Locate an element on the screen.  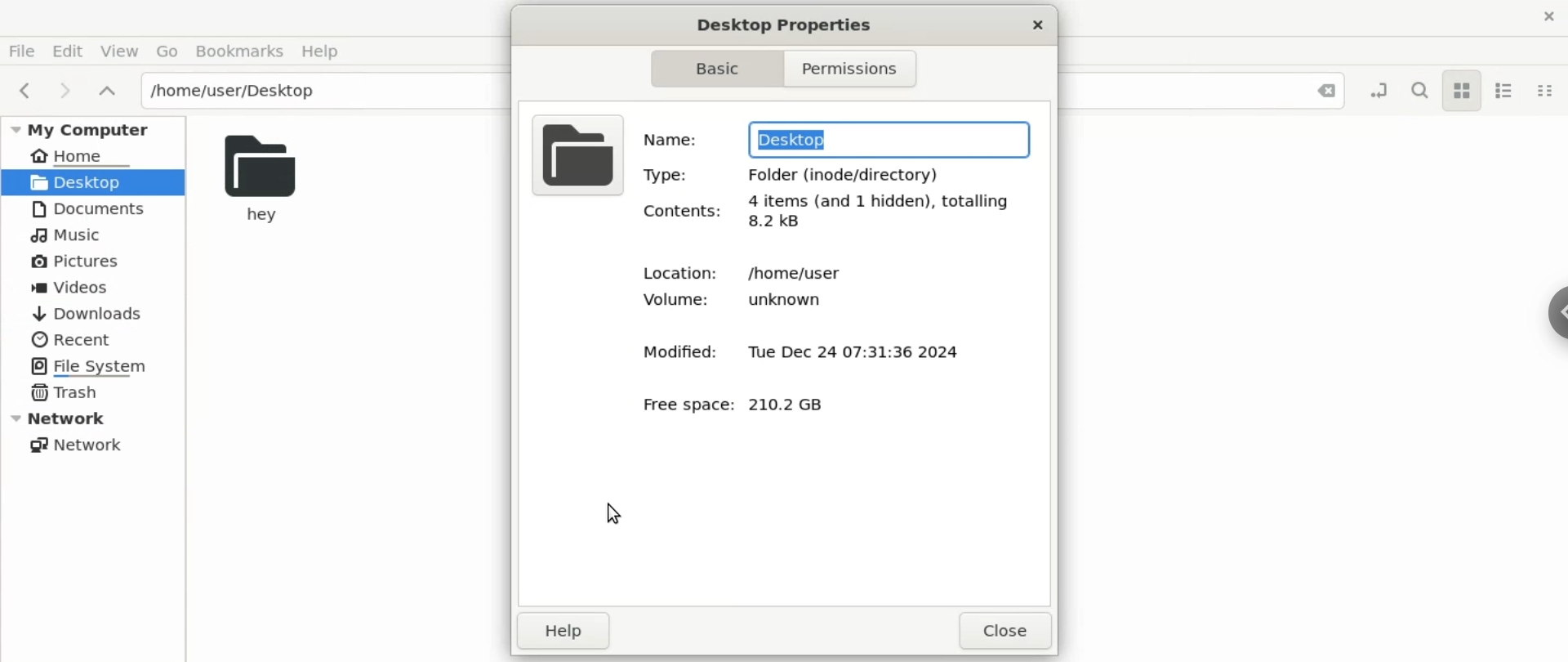
/home/user/Desktop is located at coordinates (287, 92).